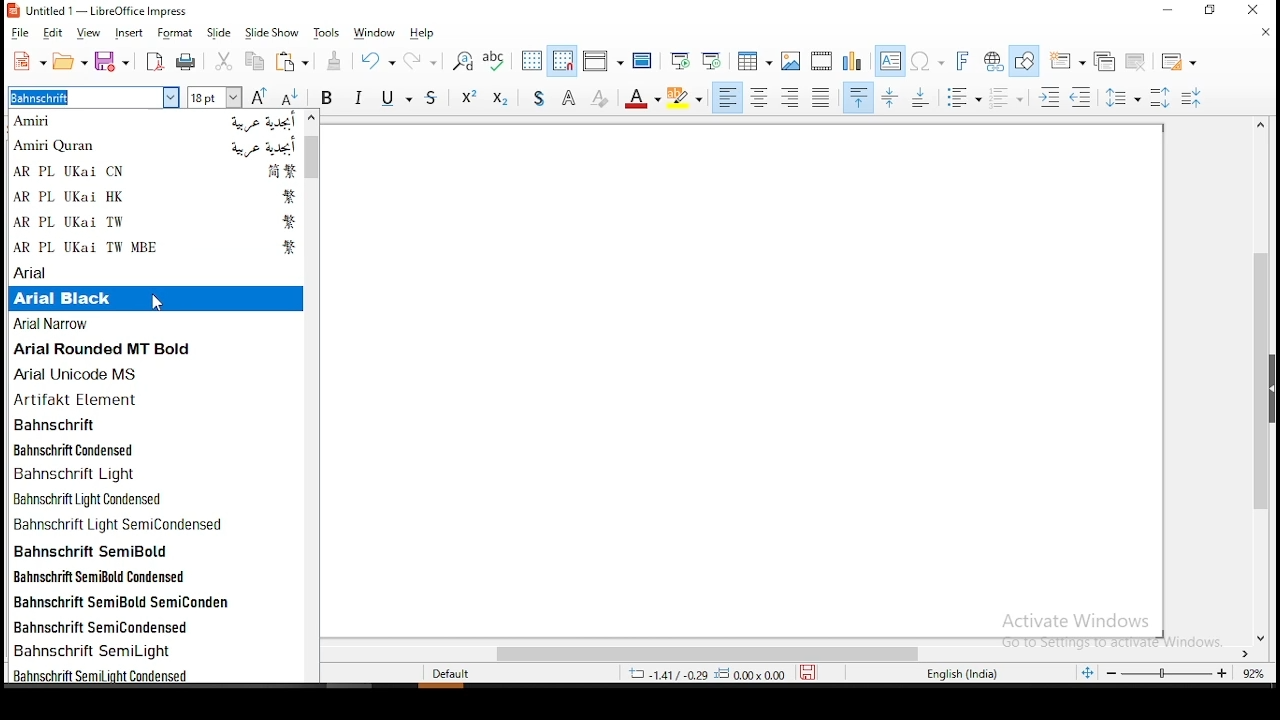  I want to click on subscript, so click(501, 99).